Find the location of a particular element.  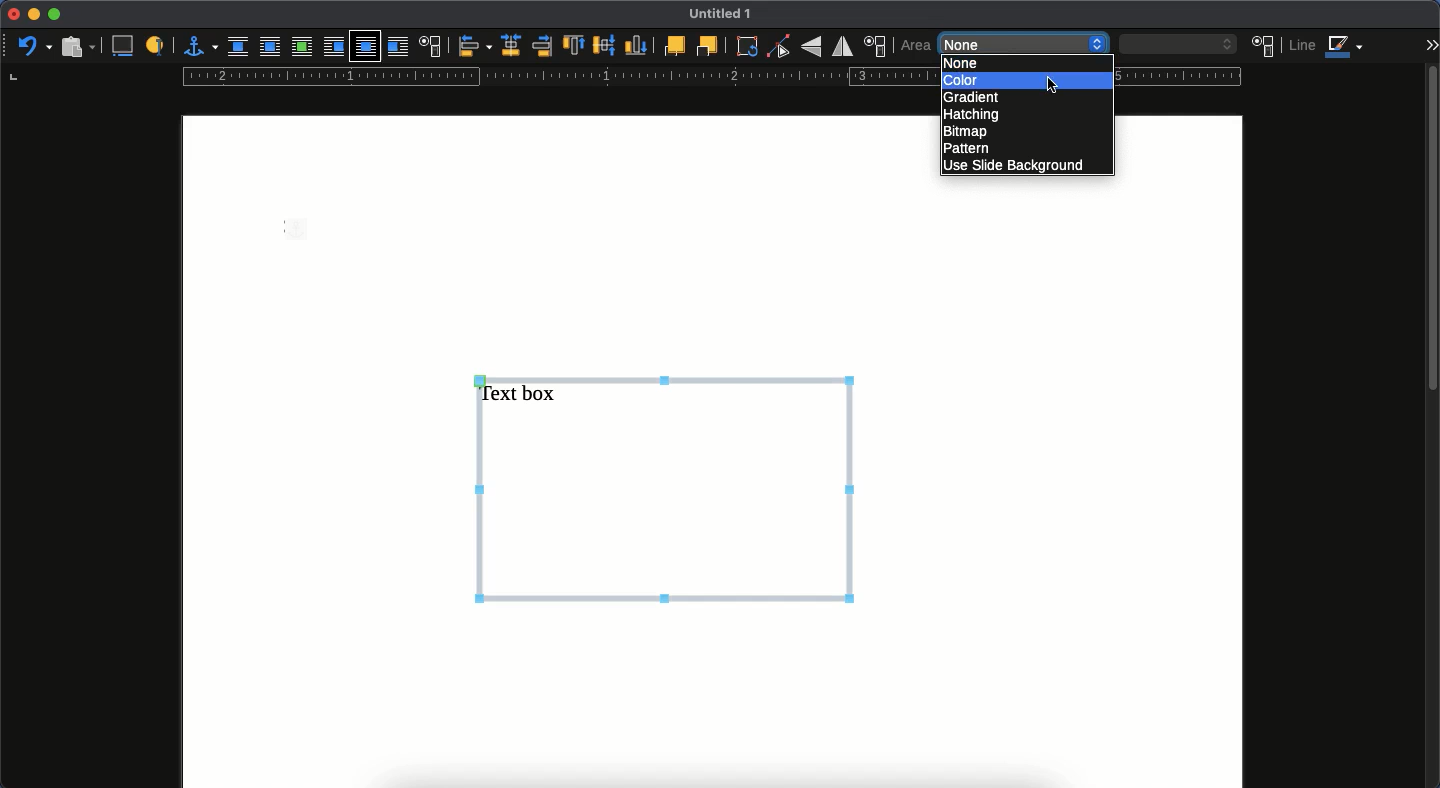

cursor is located at coordinates (1055, 85).